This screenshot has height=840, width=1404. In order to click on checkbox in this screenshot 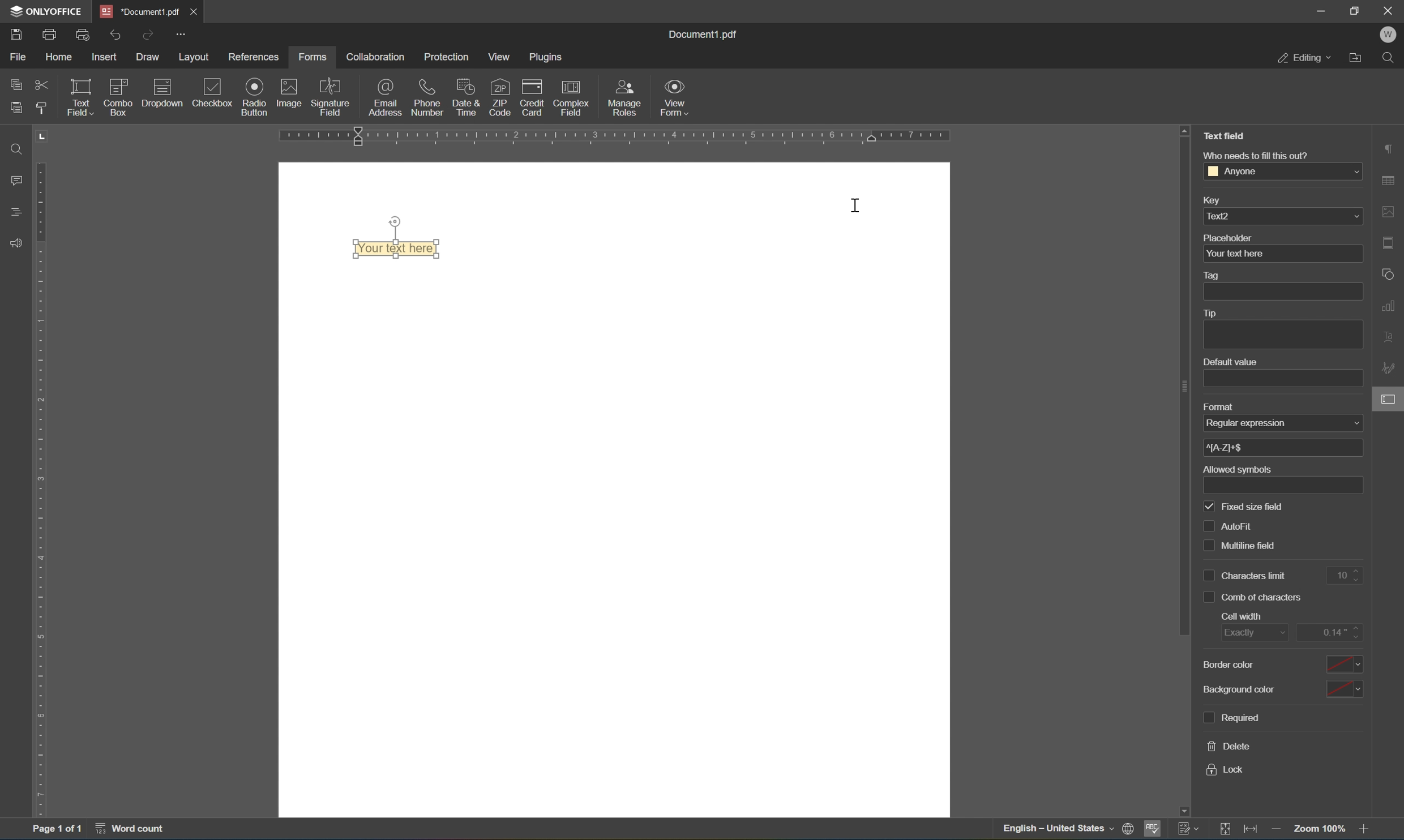, I will do `click(214, 92)`.